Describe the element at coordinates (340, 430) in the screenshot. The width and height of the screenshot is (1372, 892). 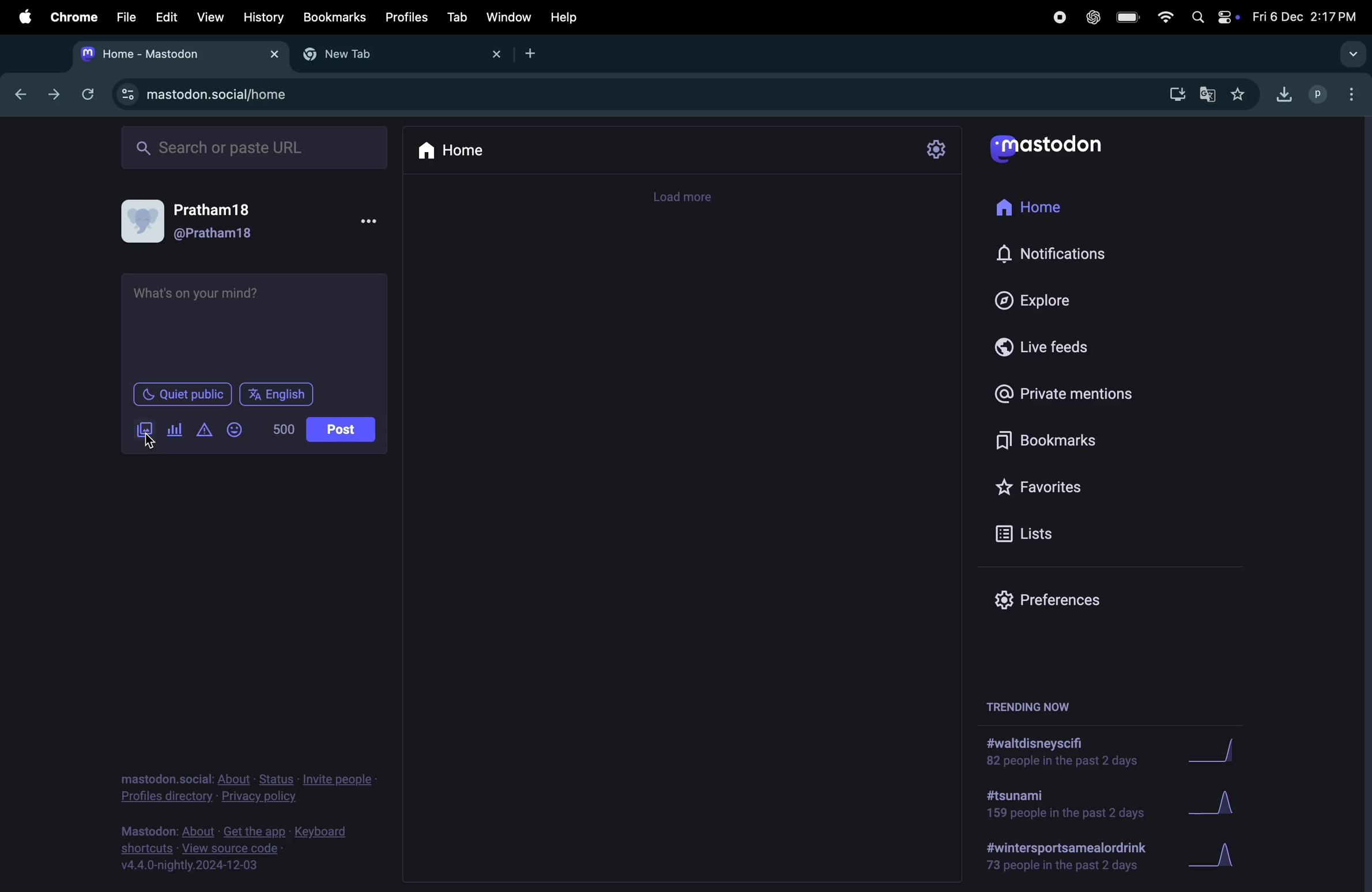
I see `post` at that location.